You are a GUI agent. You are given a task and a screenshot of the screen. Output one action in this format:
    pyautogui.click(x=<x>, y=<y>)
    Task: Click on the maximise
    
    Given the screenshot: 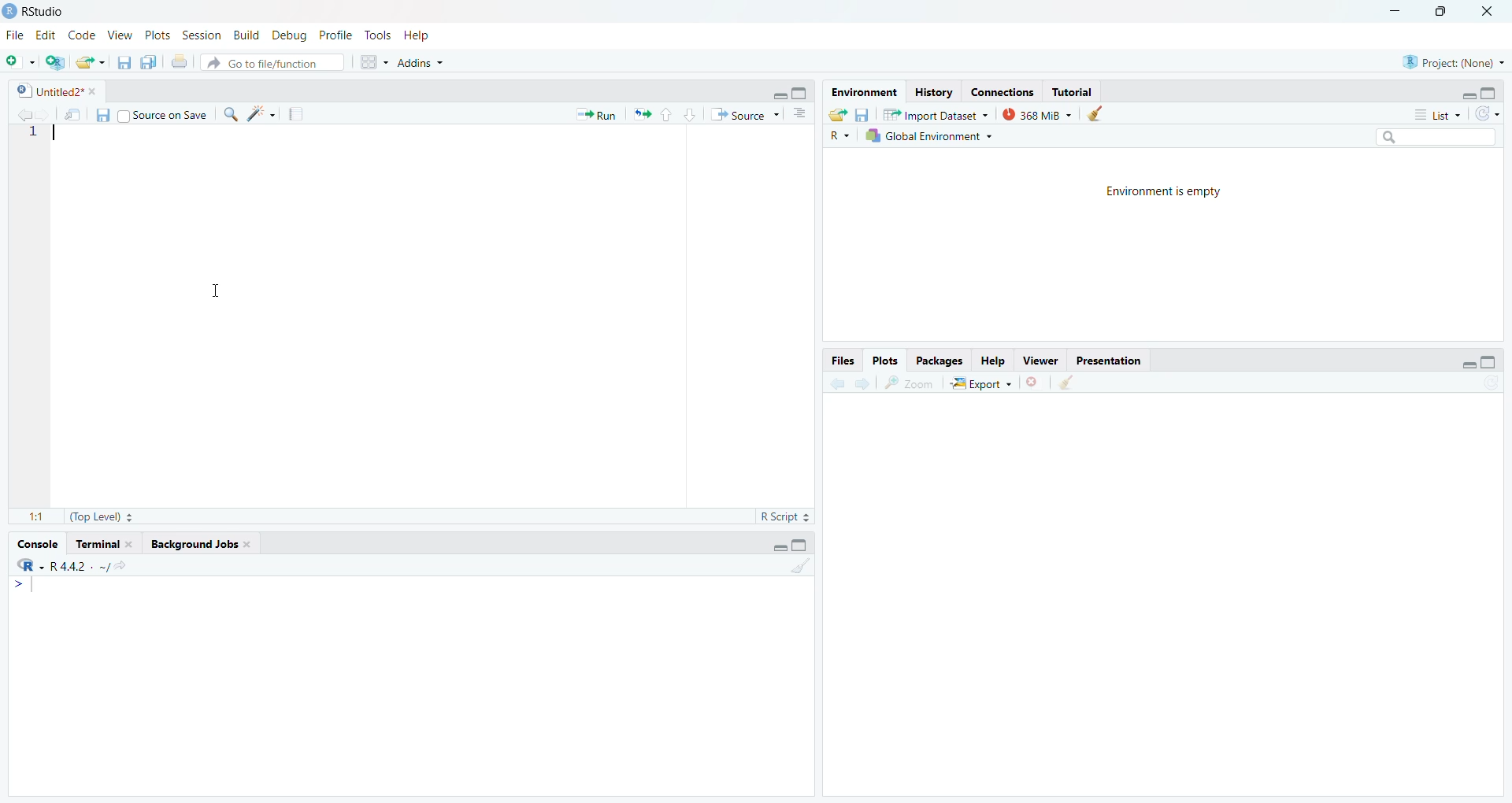 What is the action you would take?
    pyautogui.click(x=802, y=92)
    